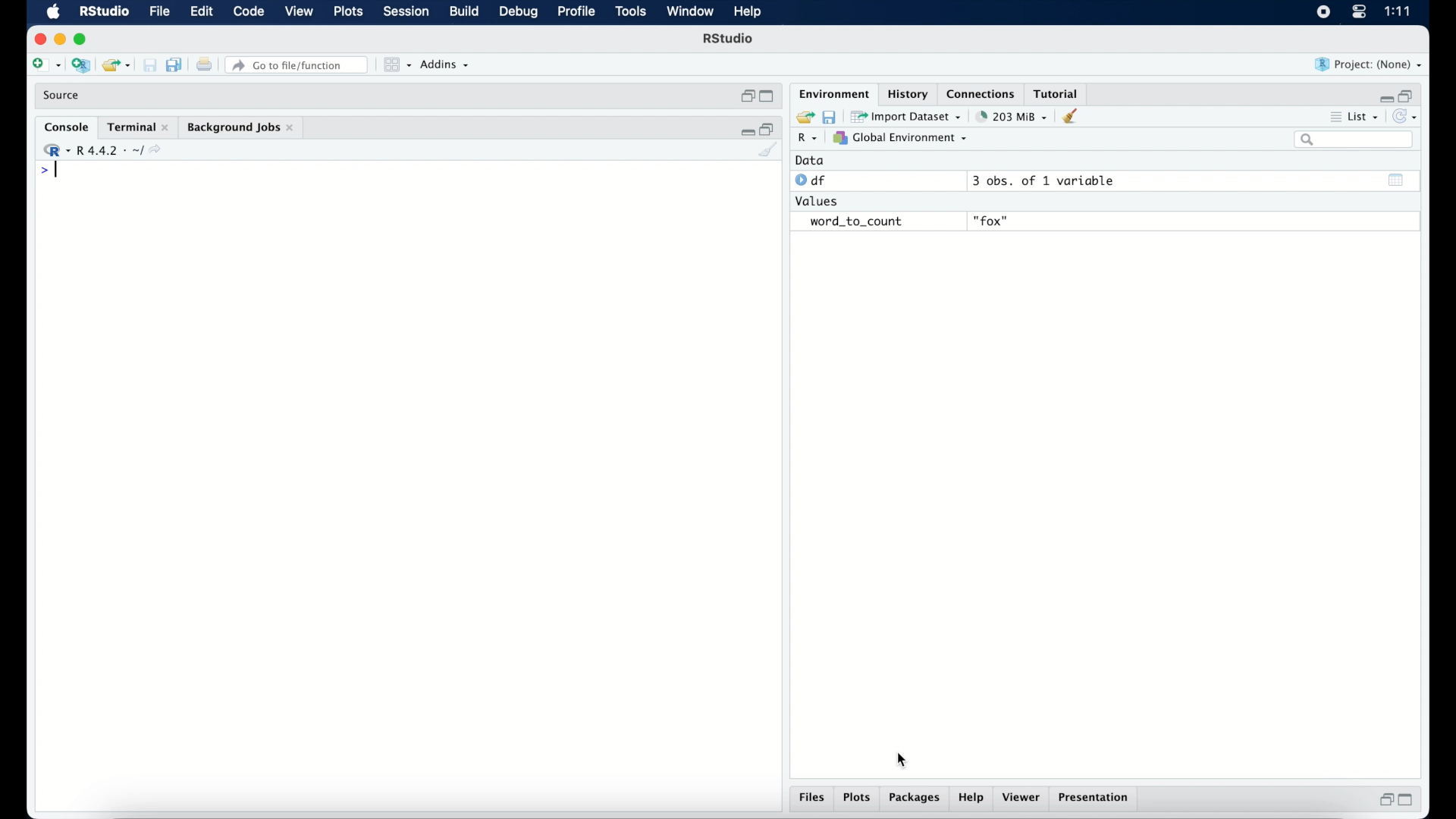 Image resolution: width=1456 pixels, height=819 pixels. What do you see at coordinates (102, 150) in the screenshot?
I see `R 4.4.2` at bounding box center [102, 150].